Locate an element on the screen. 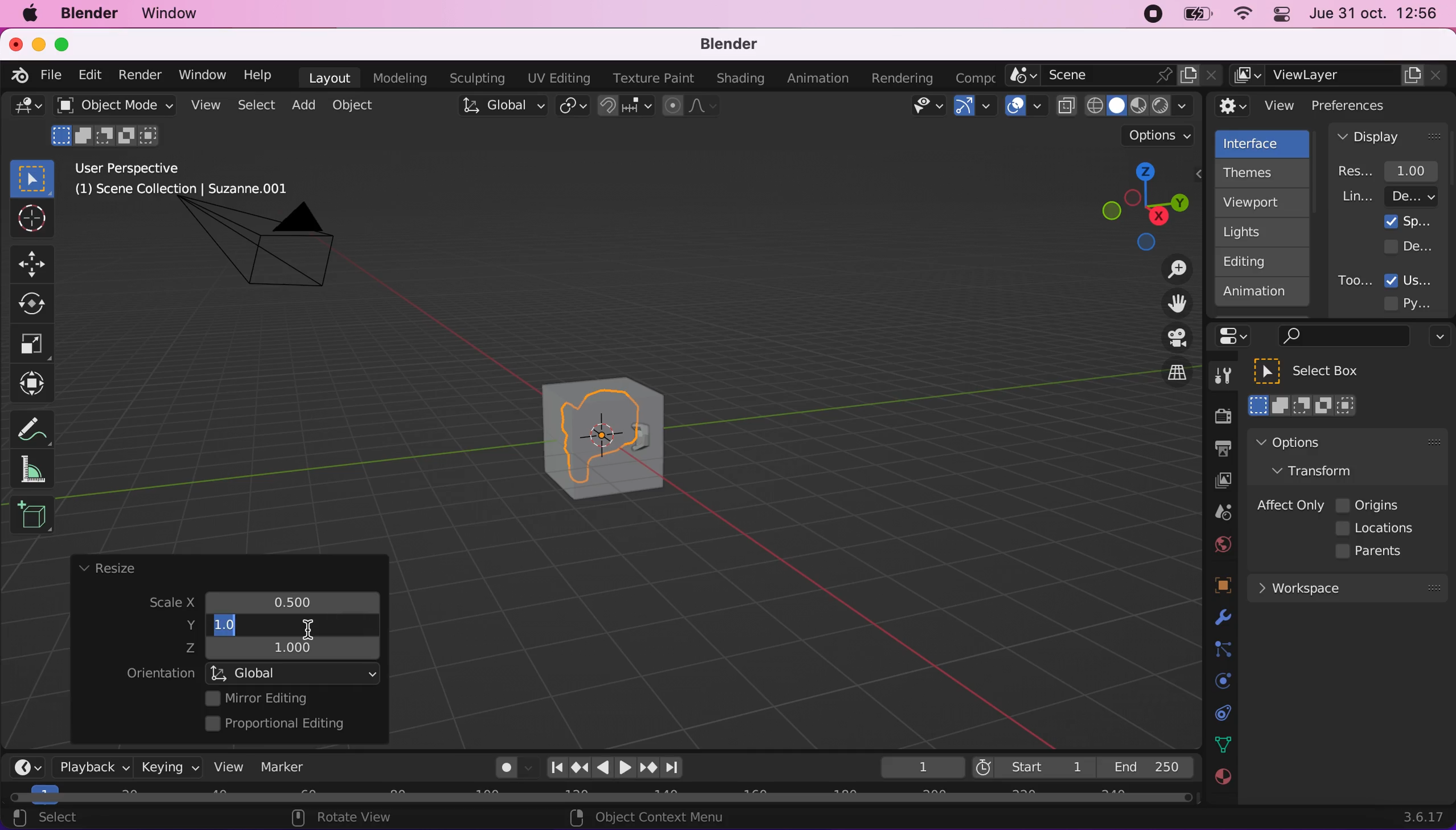  autokeying is located at coordinates (507, 771).